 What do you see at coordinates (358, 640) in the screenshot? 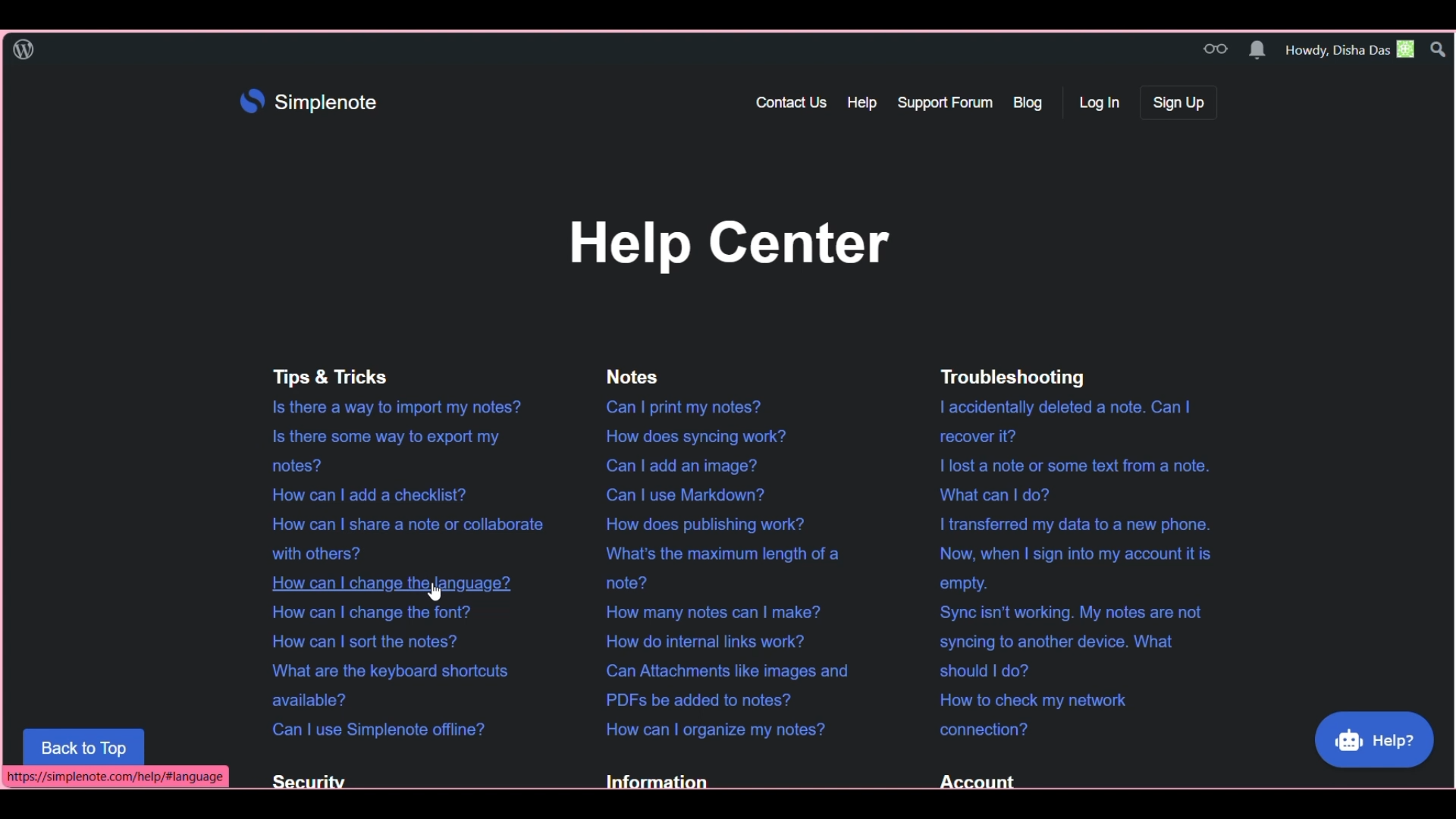
I see `How can | sort the notes?` at bounding box center [358, 640].